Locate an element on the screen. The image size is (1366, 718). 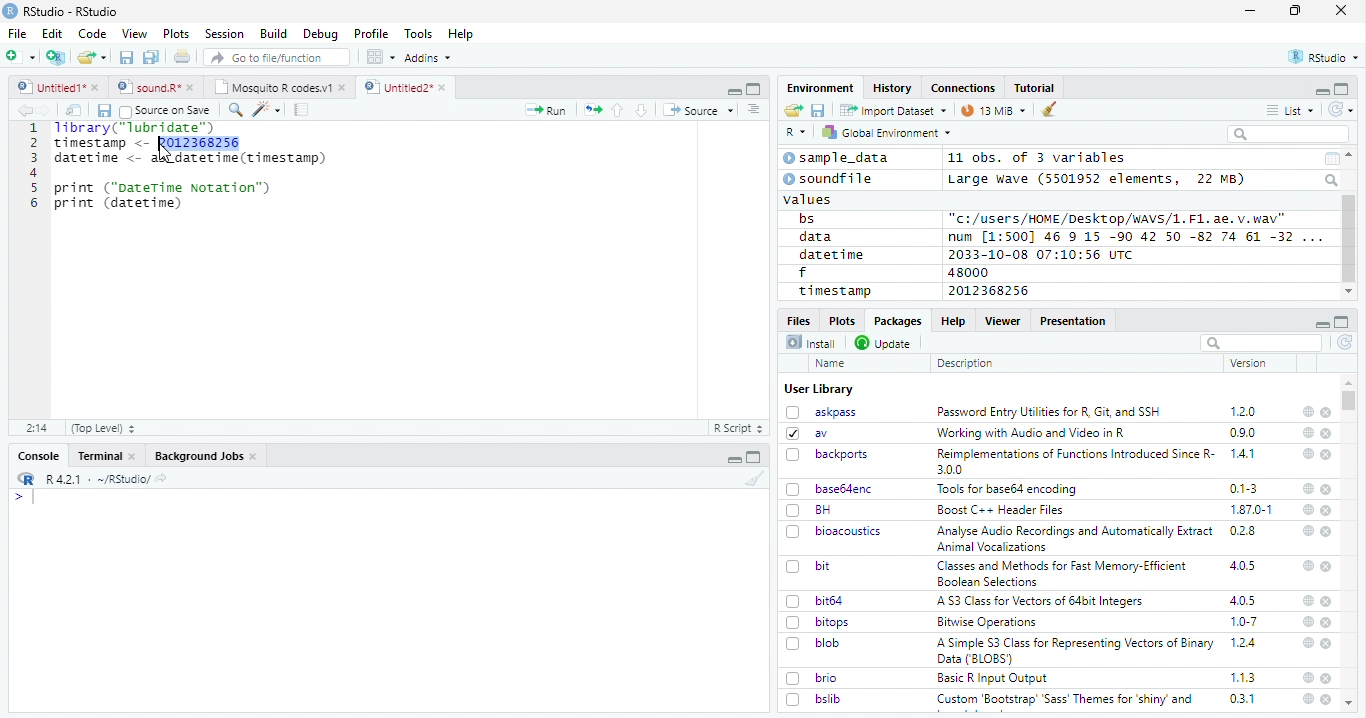
sample_data is located at coordinates (839, 158).